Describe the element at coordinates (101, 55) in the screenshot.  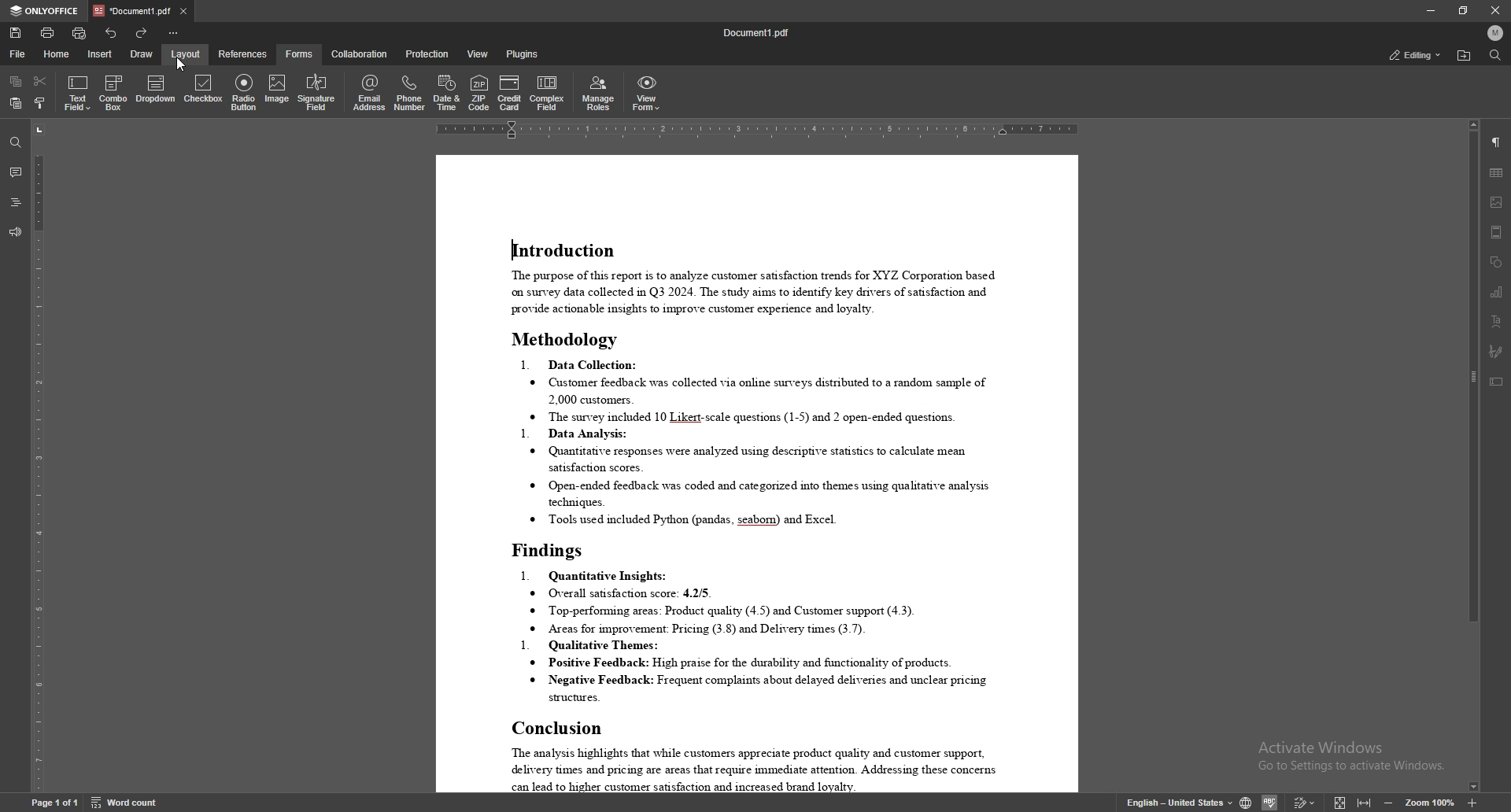
I see `insert` at that location.